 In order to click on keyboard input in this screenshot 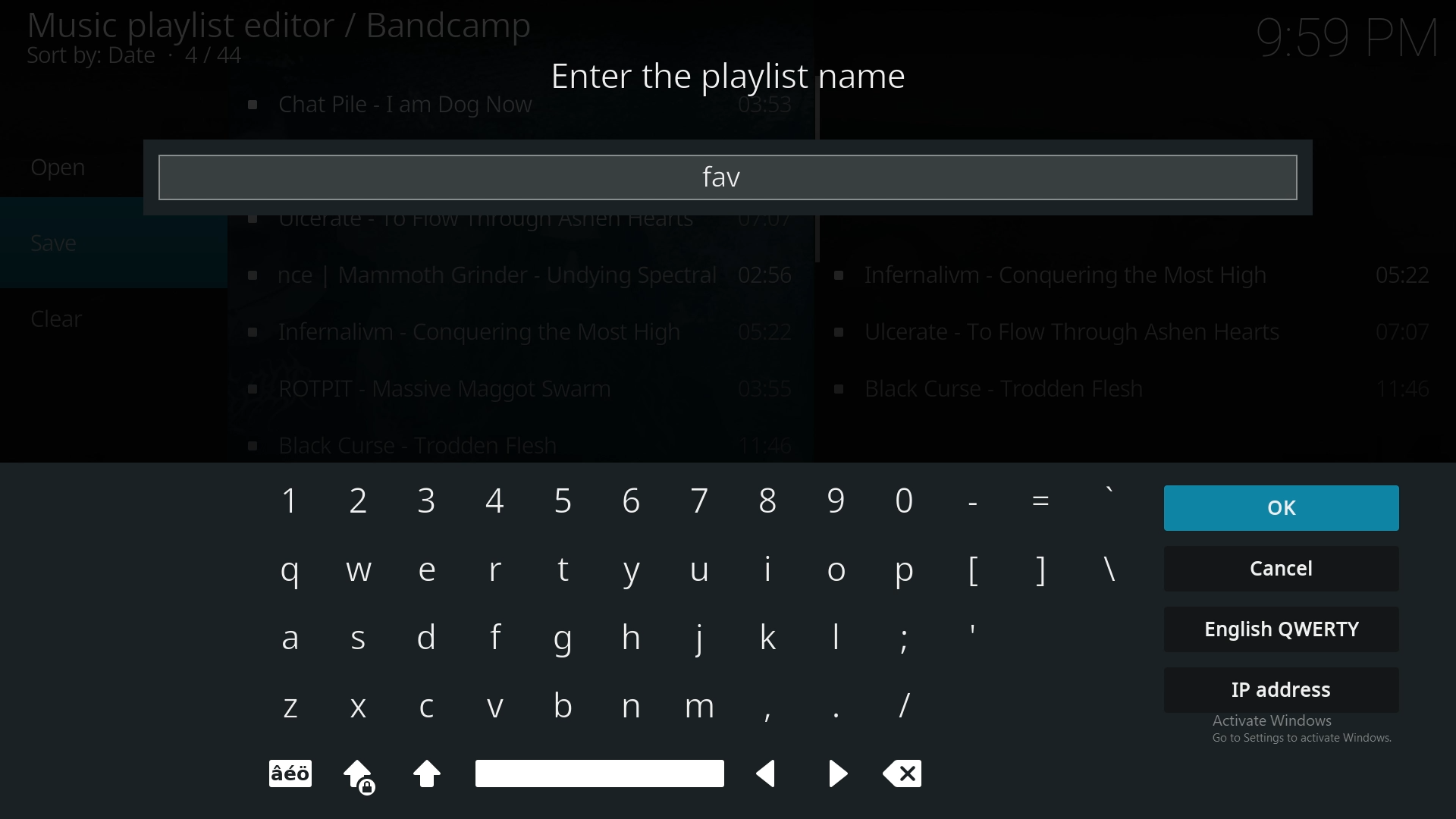, I will do `click(1040, 501)`.